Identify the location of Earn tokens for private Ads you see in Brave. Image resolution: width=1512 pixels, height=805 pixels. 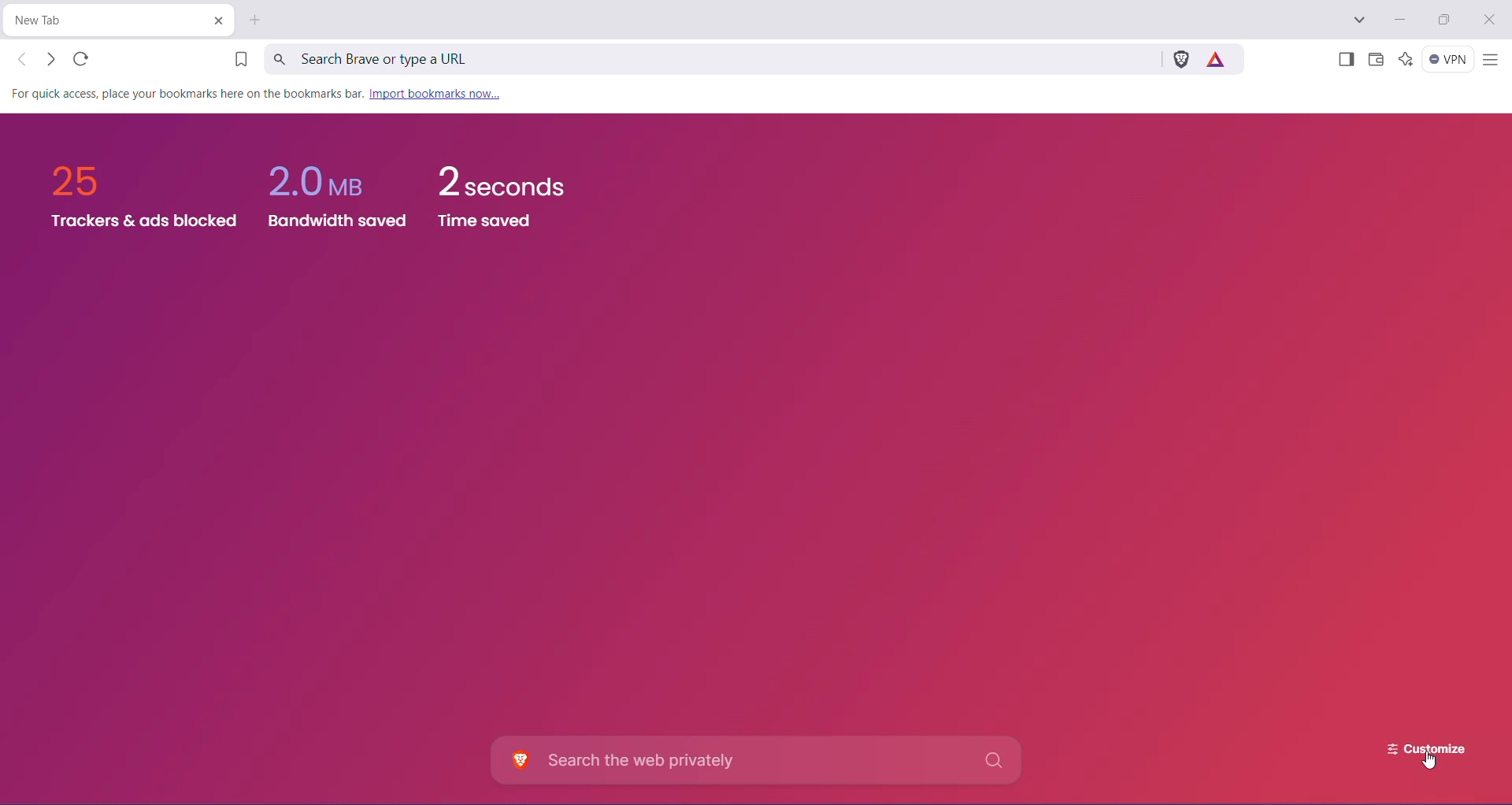
(1219, 58).